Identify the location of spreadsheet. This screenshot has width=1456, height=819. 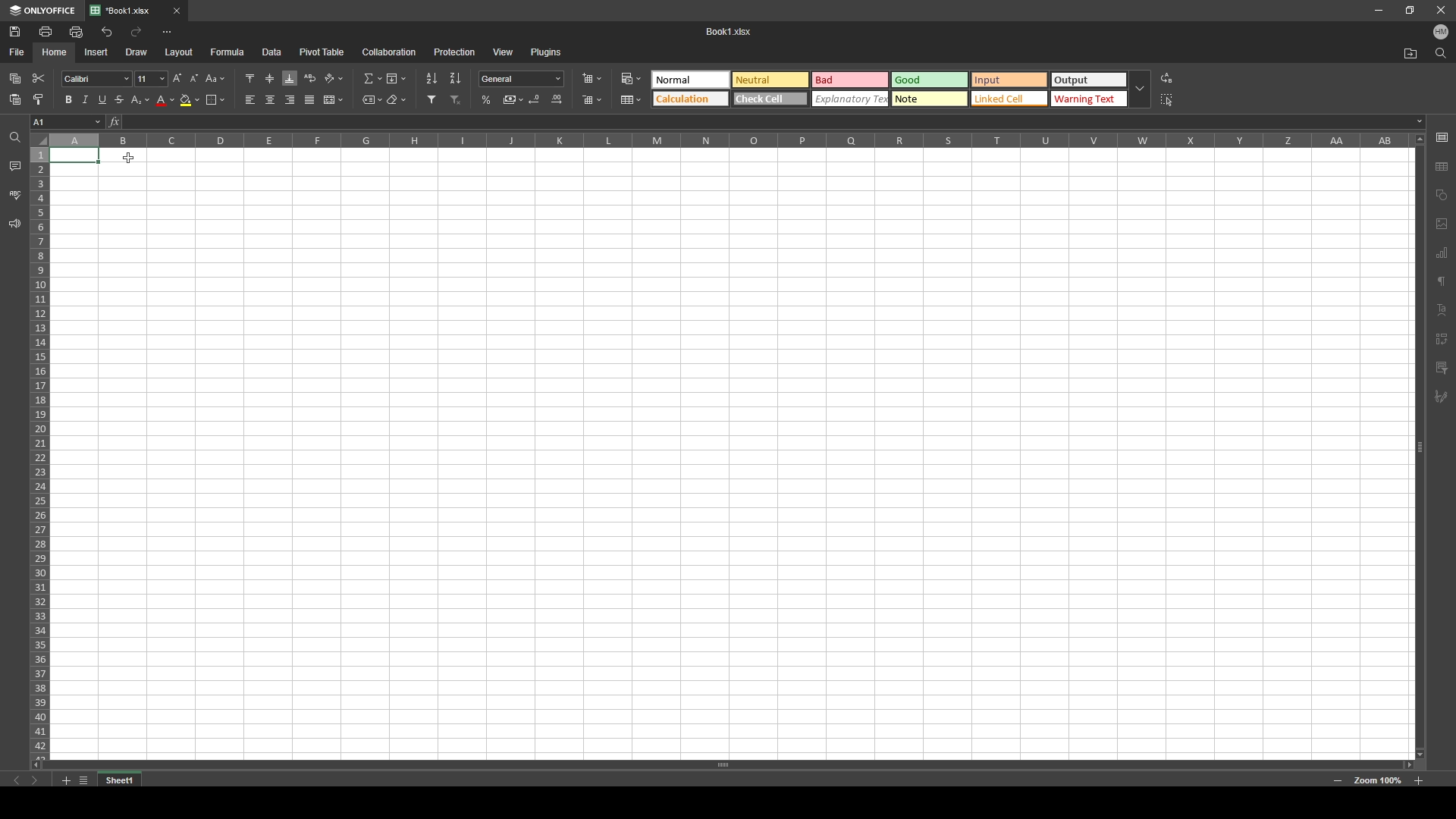
(731, 453).